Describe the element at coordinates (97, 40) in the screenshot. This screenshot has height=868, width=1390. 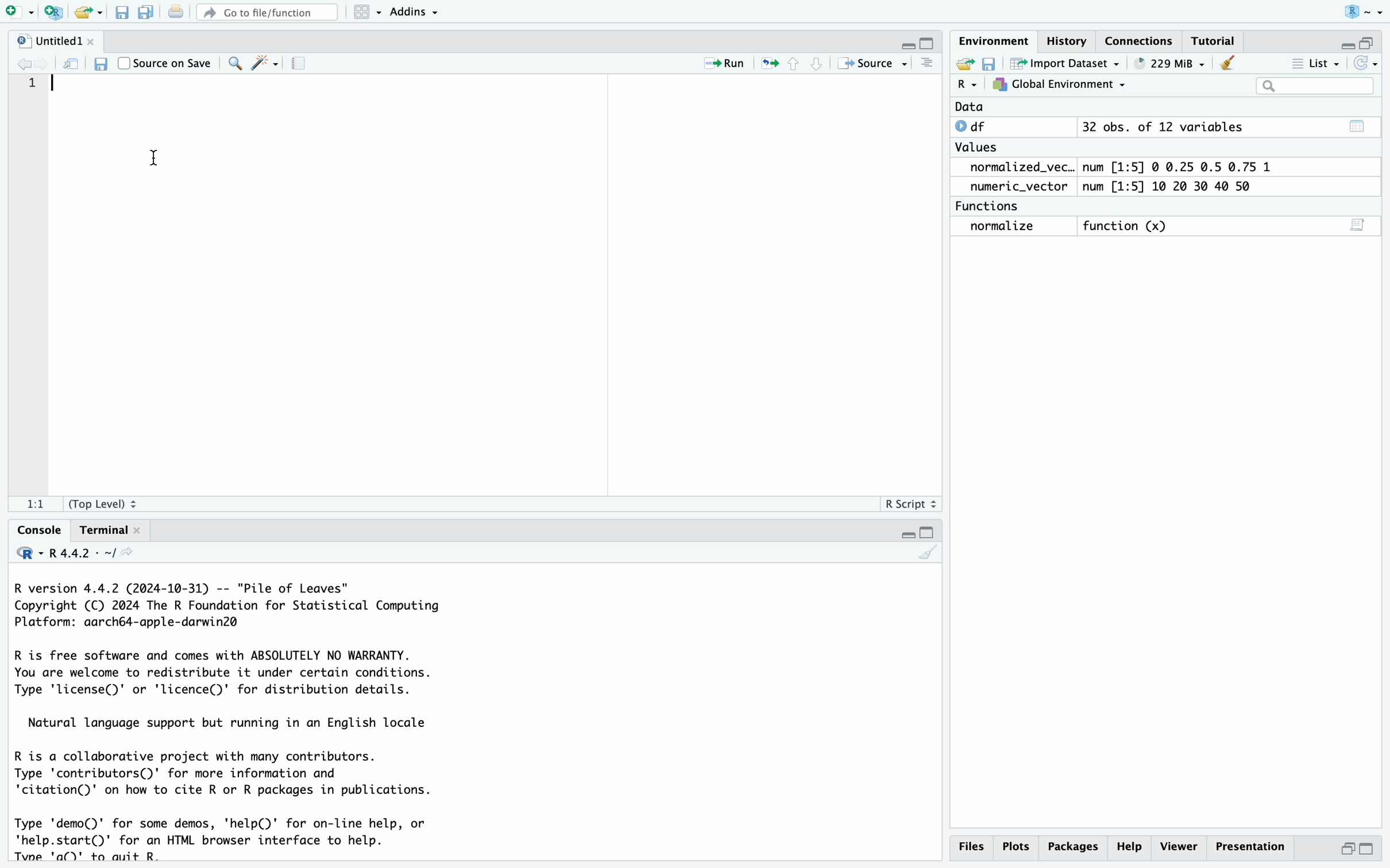
I see `close` at that location.